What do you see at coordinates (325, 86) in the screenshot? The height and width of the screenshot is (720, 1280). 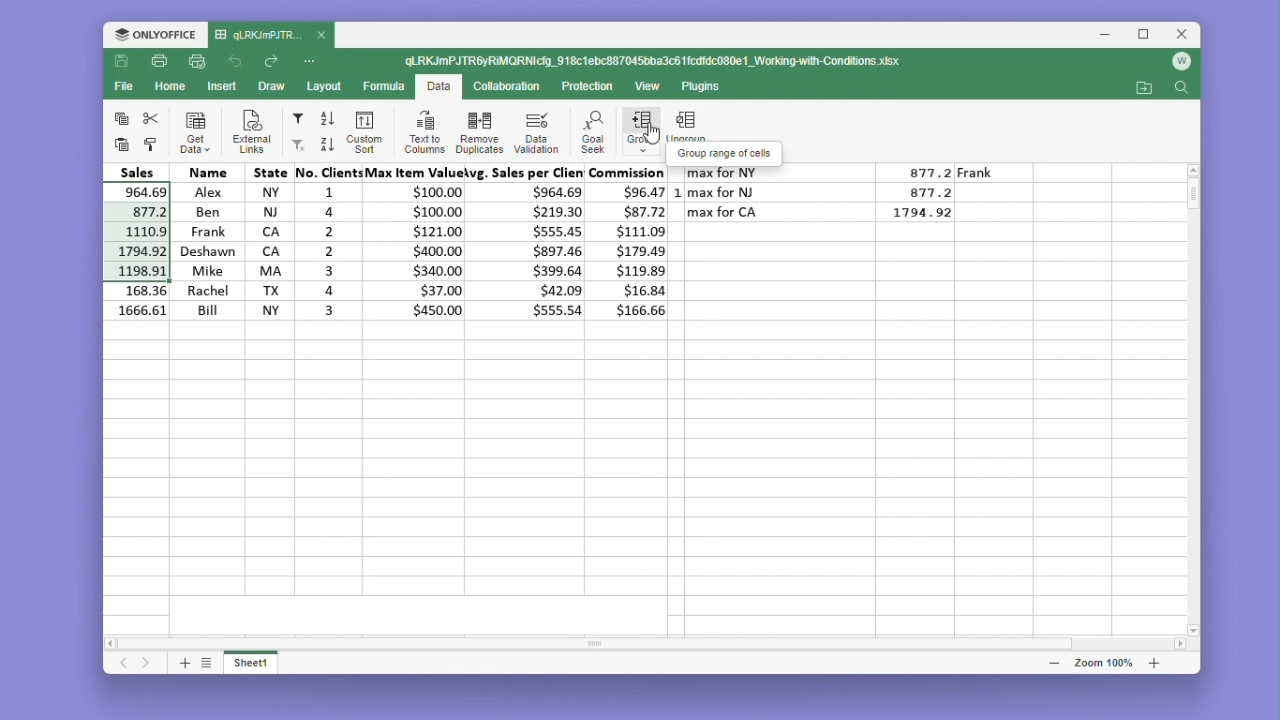 I see `Layout` at bounding box center [325, 86].